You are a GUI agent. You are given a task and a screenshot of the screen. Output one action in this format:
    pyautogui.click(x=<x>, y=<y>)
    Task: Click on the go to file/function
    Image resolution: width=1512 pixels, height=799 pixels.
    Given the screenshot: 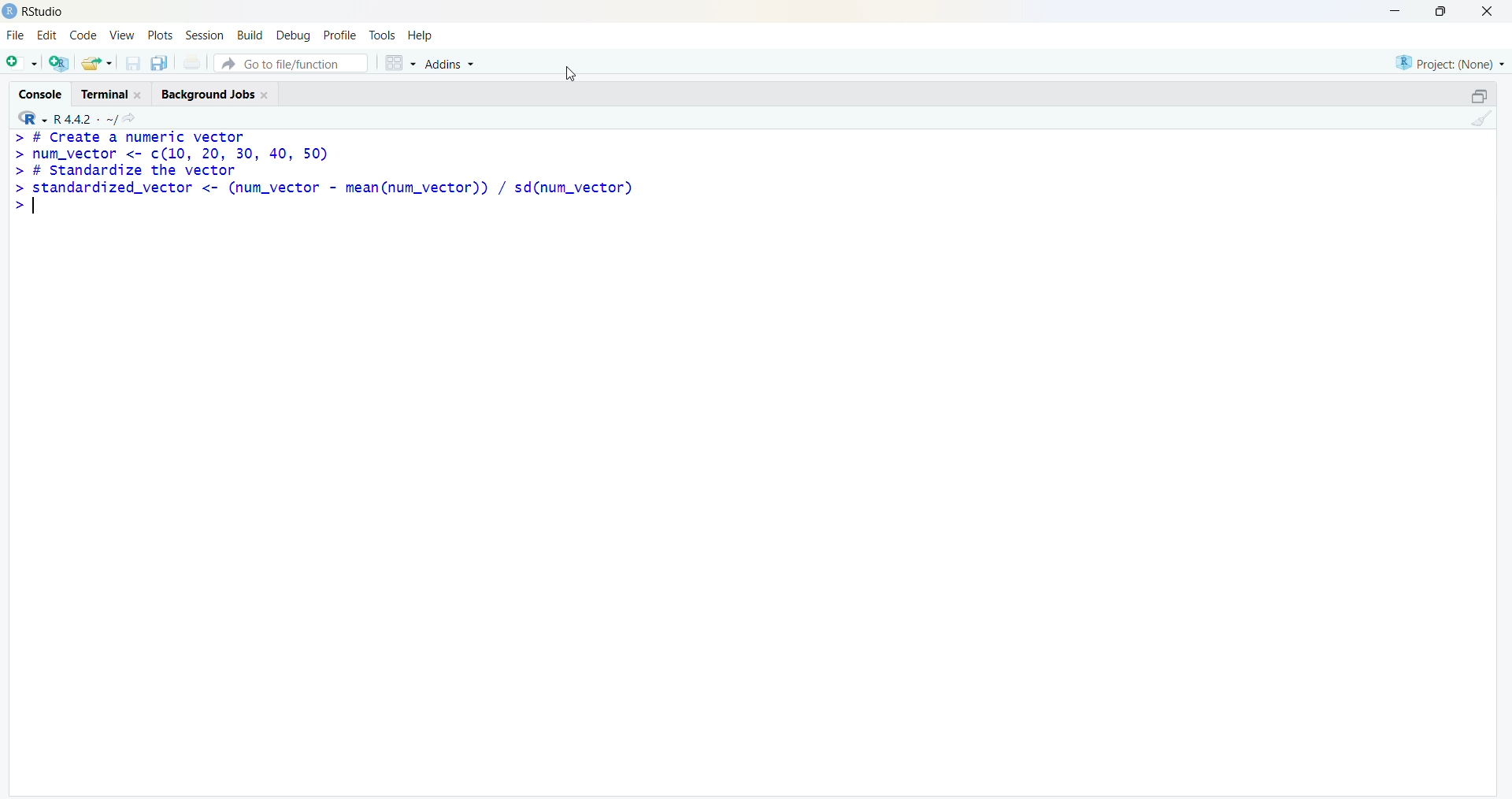 What is the action you would take?
    pyautogui.click(x=291, y=63)
    